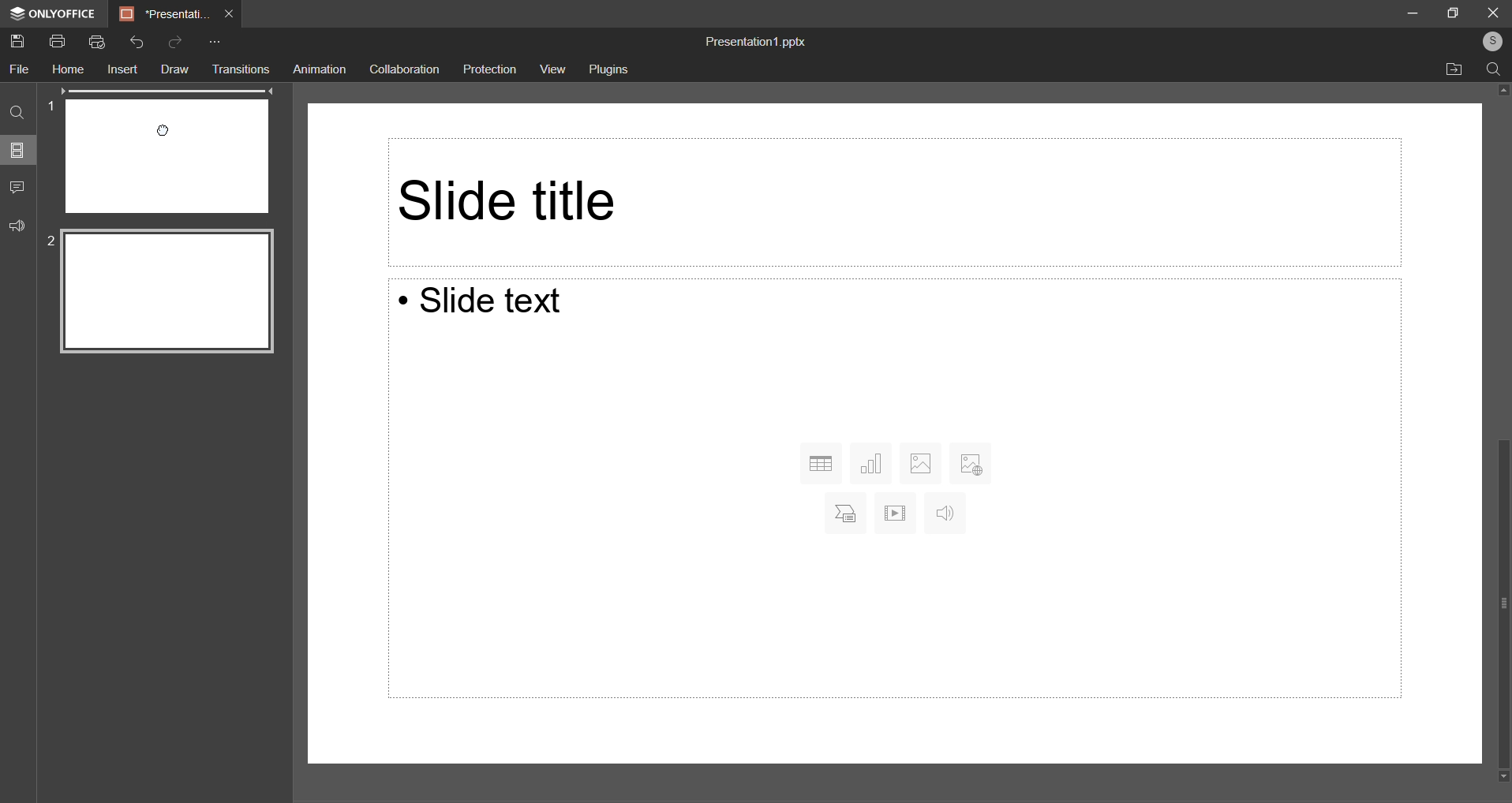 The image size is (1512, 803). What do you see at coordinates (552, 69) in the screenshot?
I see `View` at bounding box center [552, 69].